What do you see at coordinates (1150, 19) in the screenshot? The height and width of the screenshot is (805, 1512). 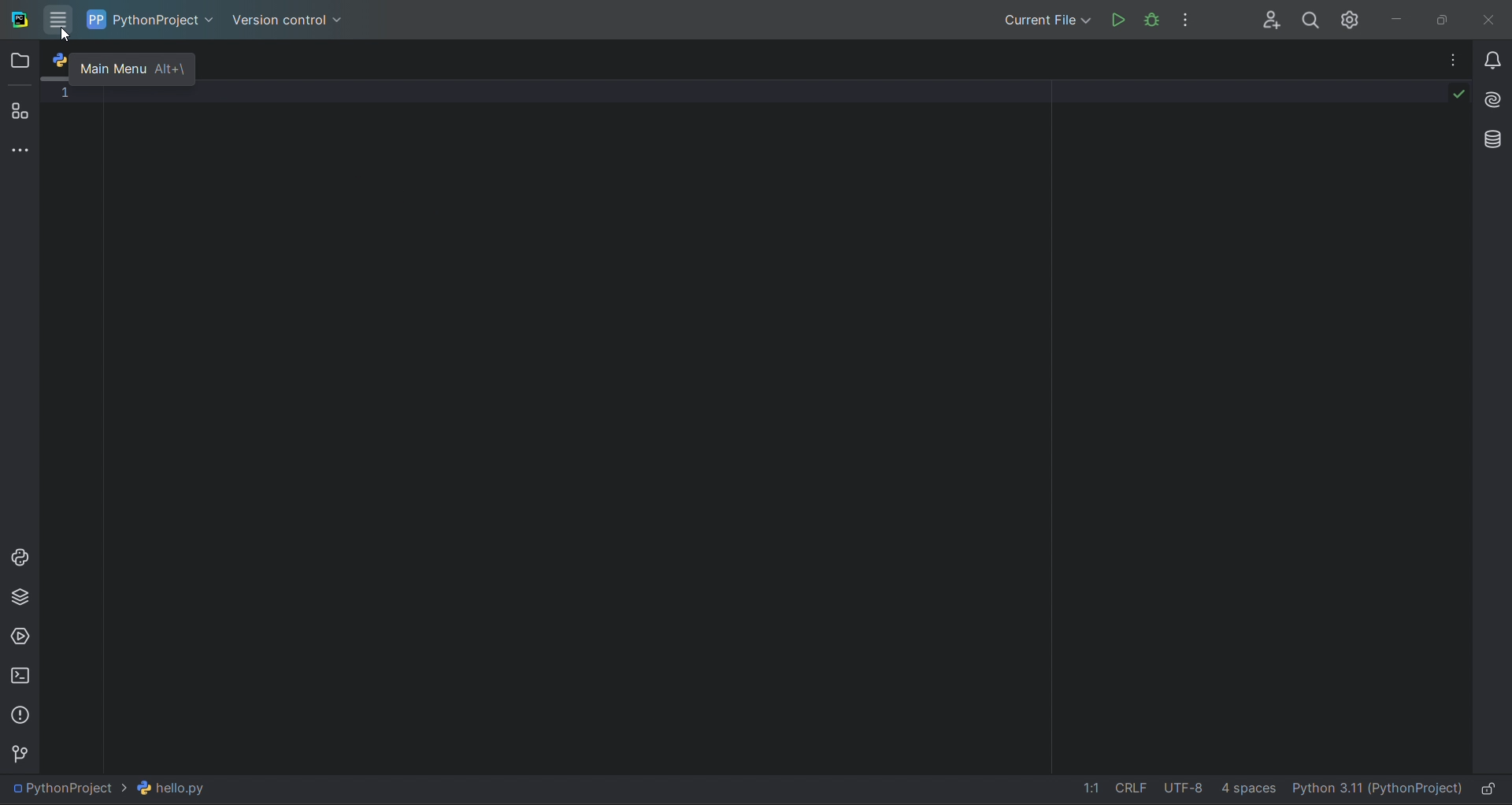 I see `debug` at bounding box center [1150, 19].